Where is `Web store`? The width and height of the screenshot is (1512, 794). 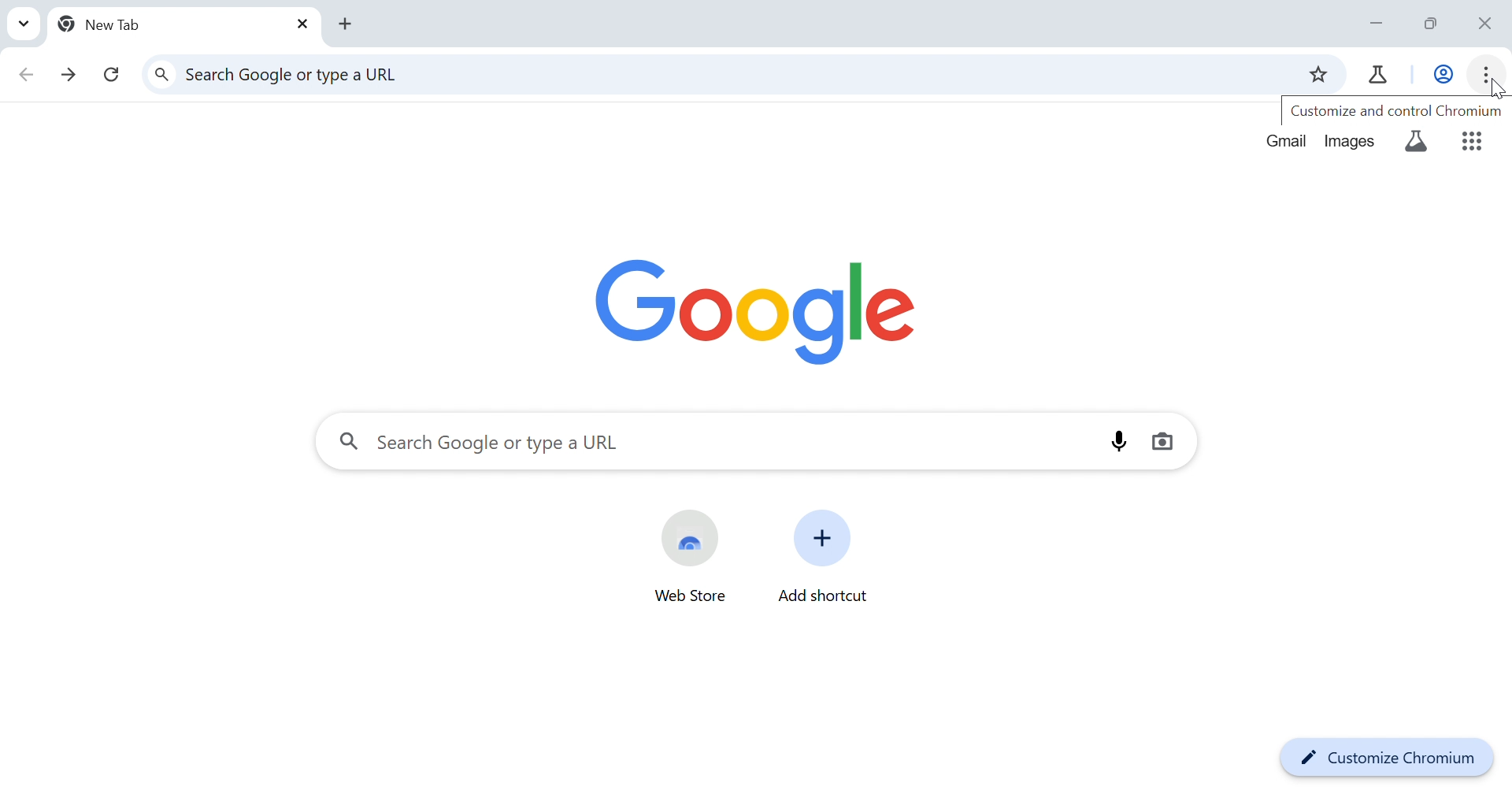
Web store is located at coordinates (691, 539).